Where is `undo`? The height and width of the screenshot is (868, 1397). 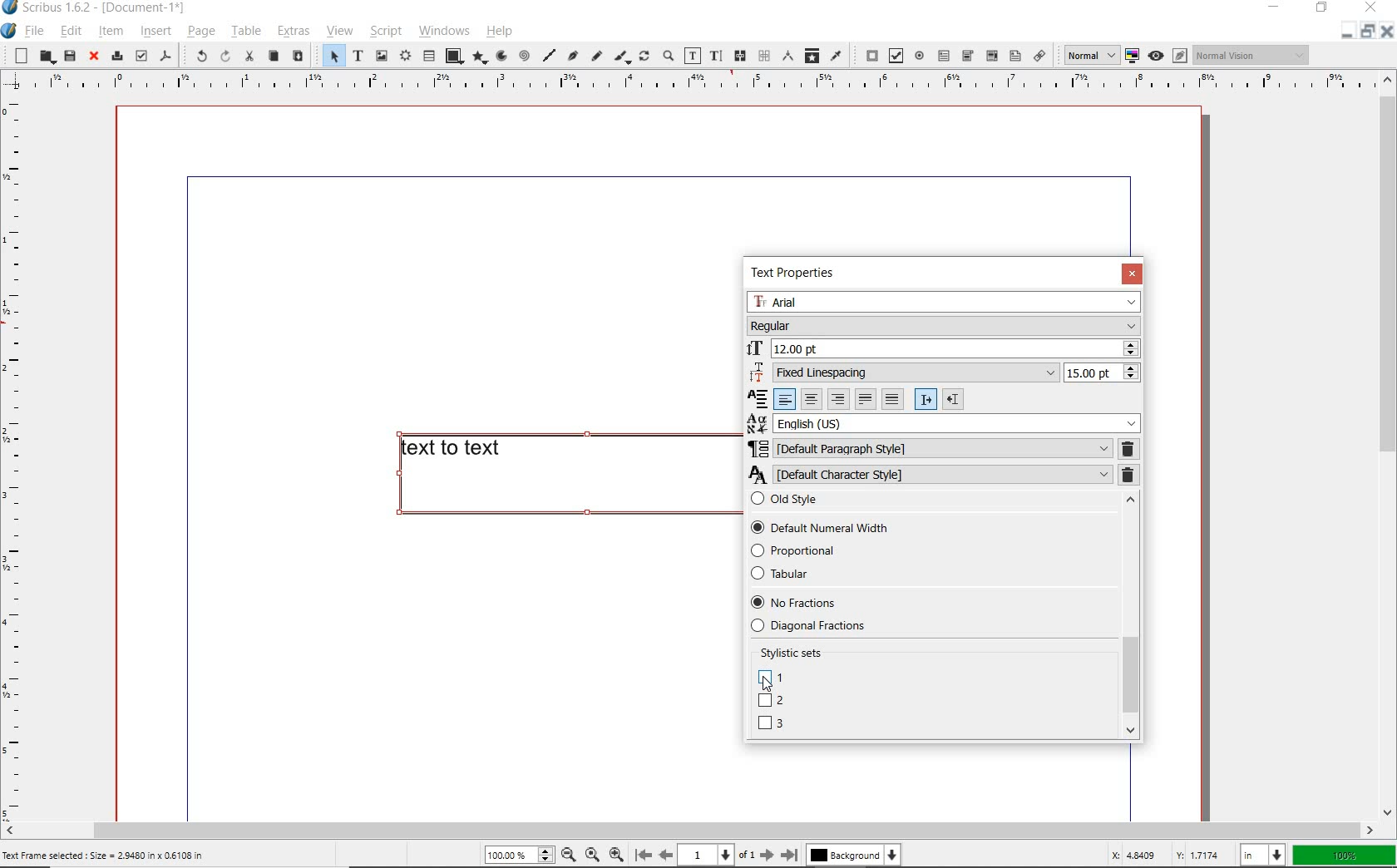 undo is located at coordinates (195, 55).